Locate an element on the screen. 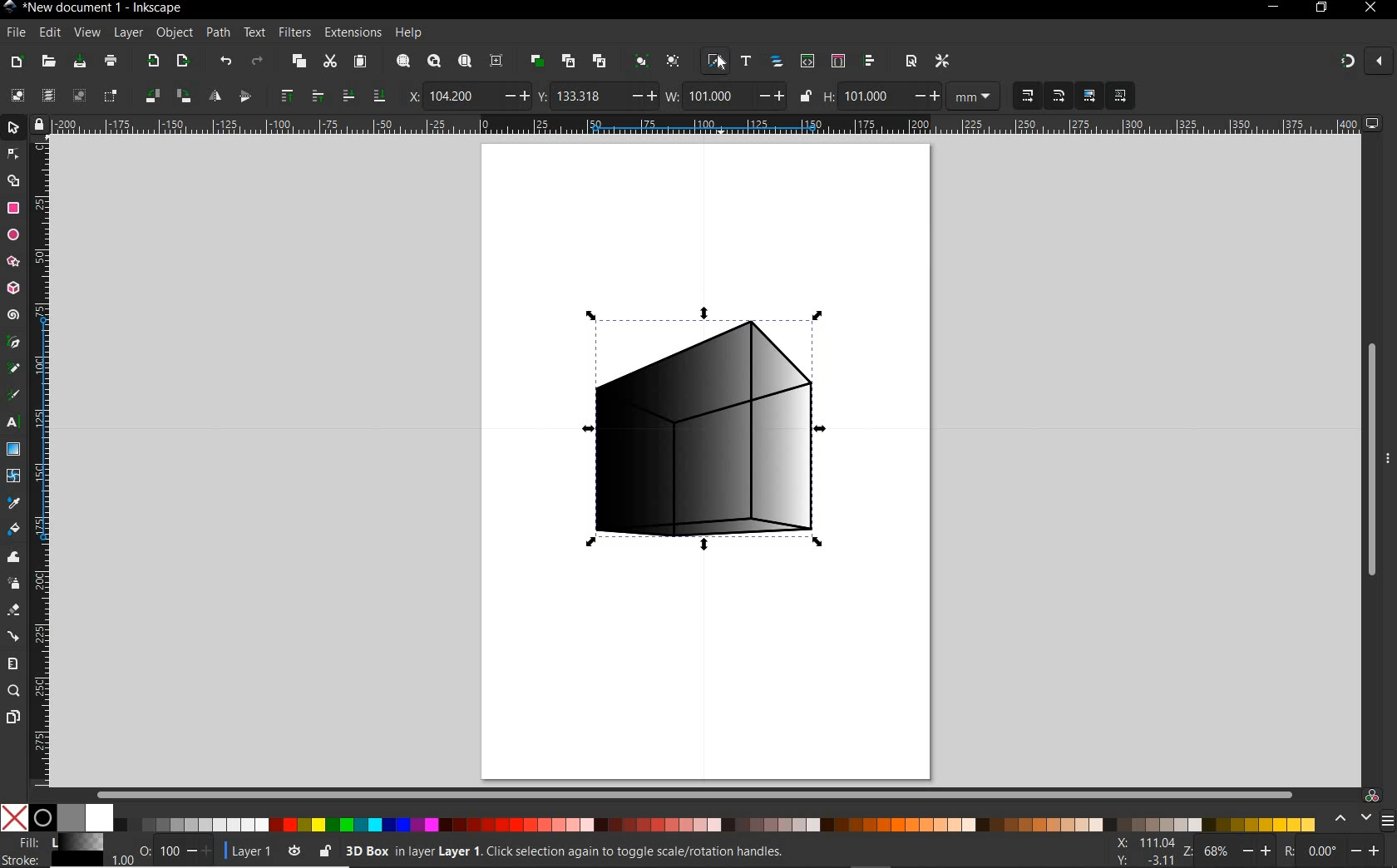 The width and height of the screenshot is (1397, 868). scroll color options is located at coordinates (1350, 820).